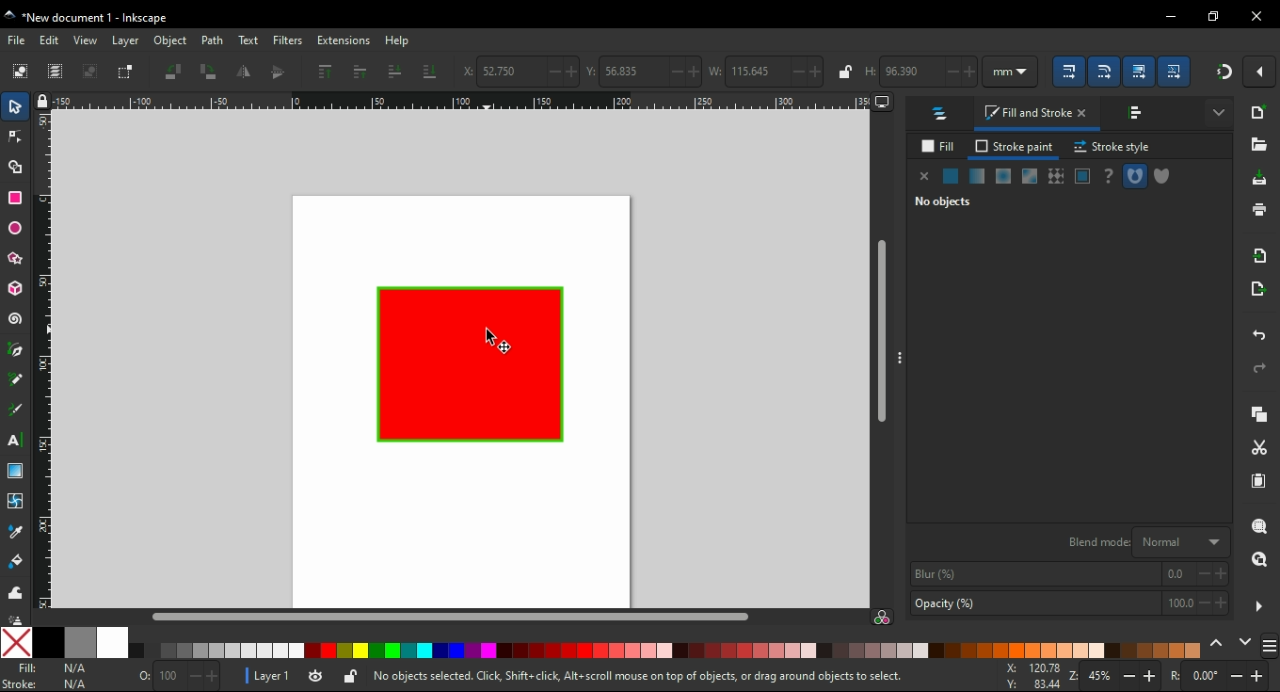 This screenshot has width=1280, height=692. I want to click on unset paint, so click(1110, 176).